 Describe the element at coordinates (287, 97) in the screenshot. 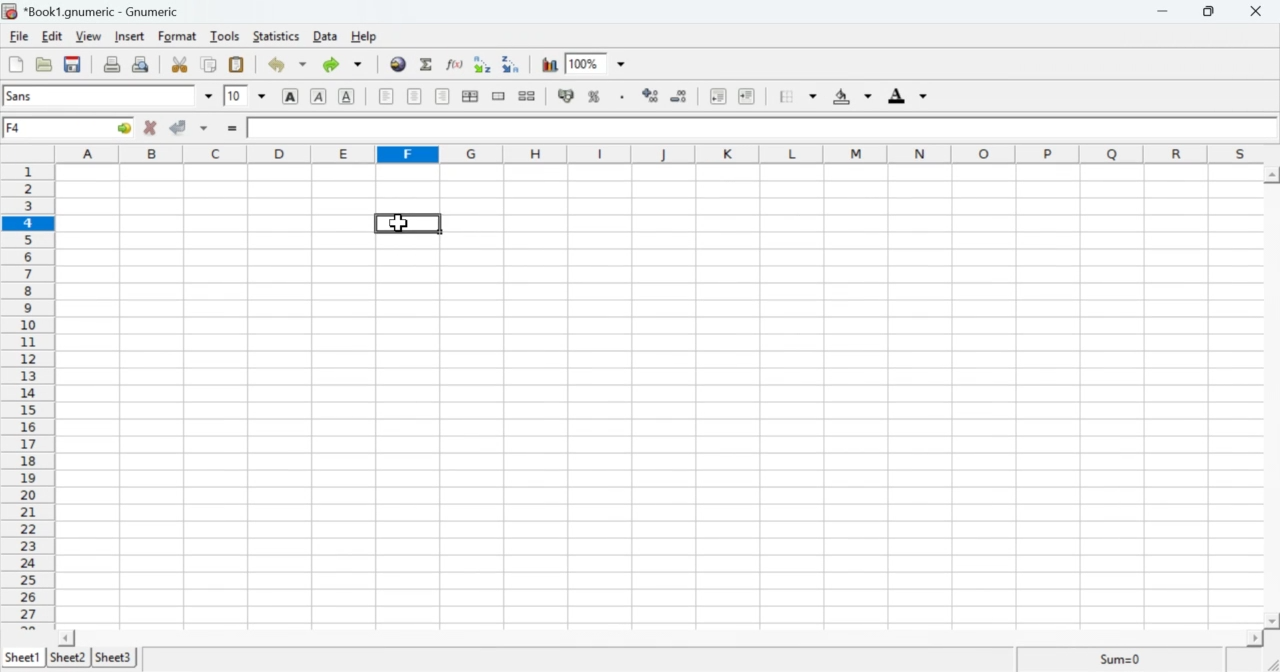

I see `Bold` at that location.